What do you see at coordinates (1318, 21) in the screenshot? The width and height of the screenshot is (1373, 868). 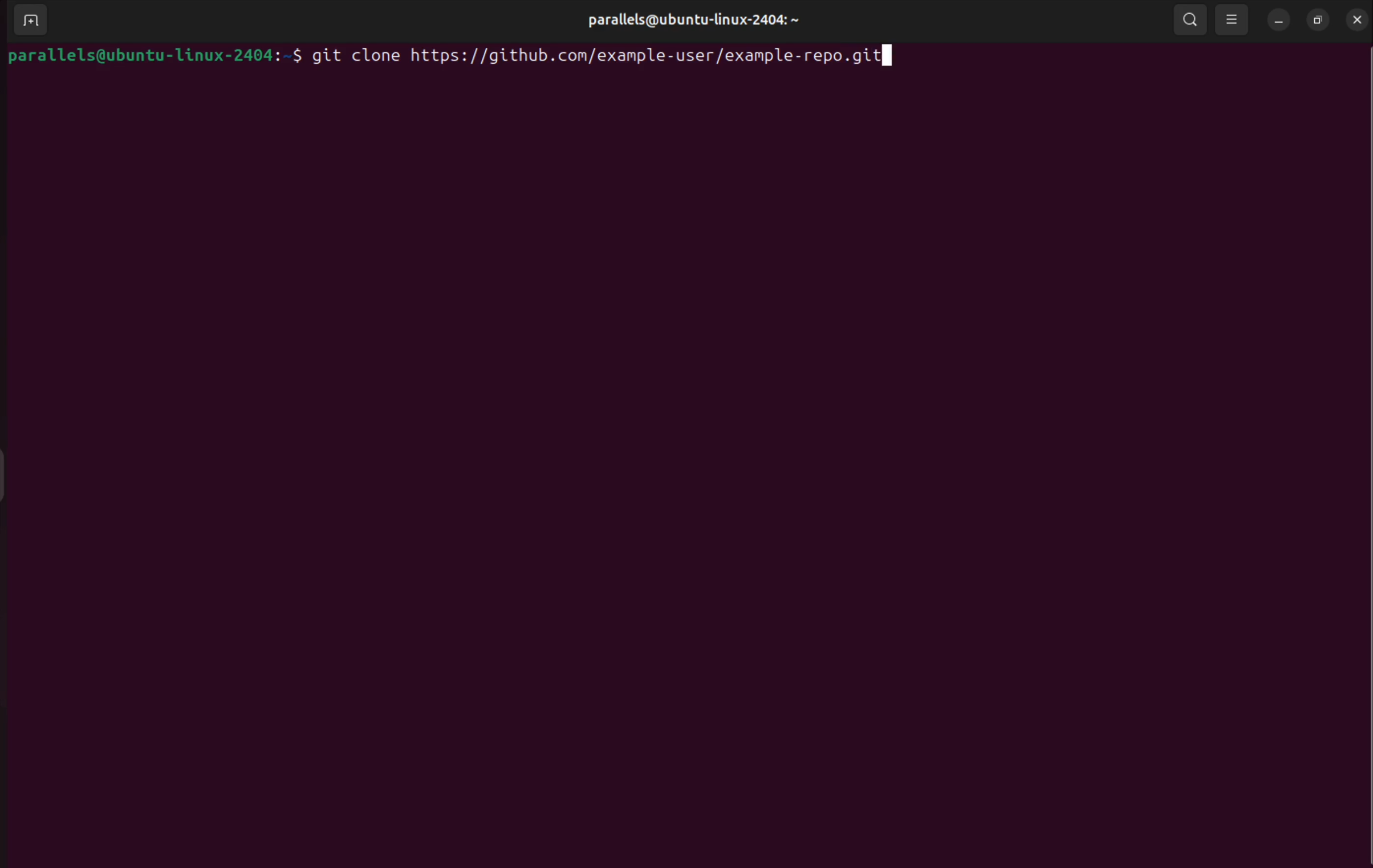 I see `resize` at bounding box center [1318, 21].